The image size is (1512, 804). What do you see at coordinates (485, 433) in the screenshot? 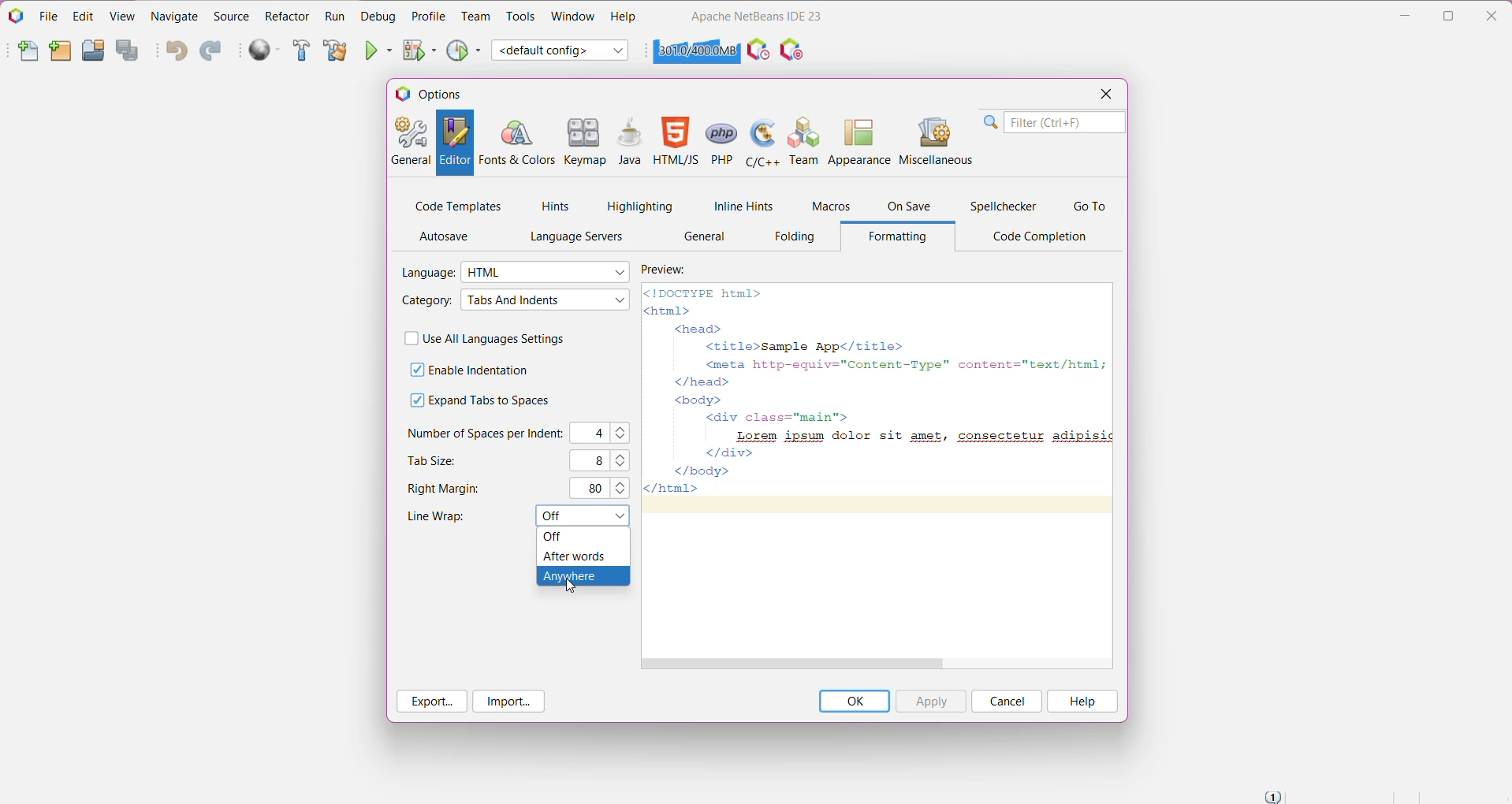
I see `Number of Spaces per Indent` at bounding box center [485, 433].